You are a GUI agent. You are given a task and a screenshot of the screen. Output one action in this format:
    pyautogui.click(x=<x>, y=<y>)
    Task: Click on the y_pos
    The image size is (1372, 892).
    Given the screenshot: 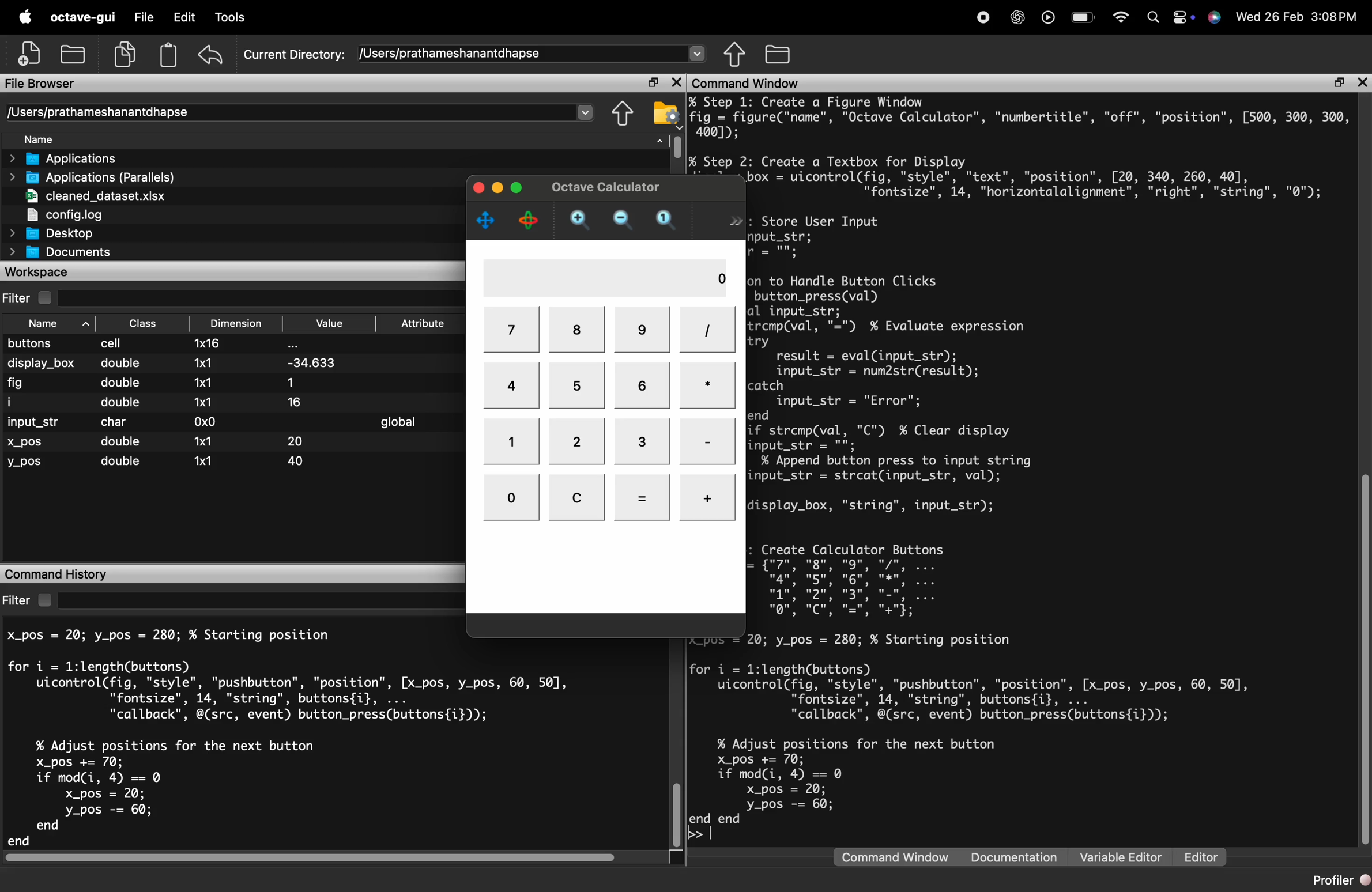 What is the action you would take?
    pyautogui.click(x=25, y=463)
    